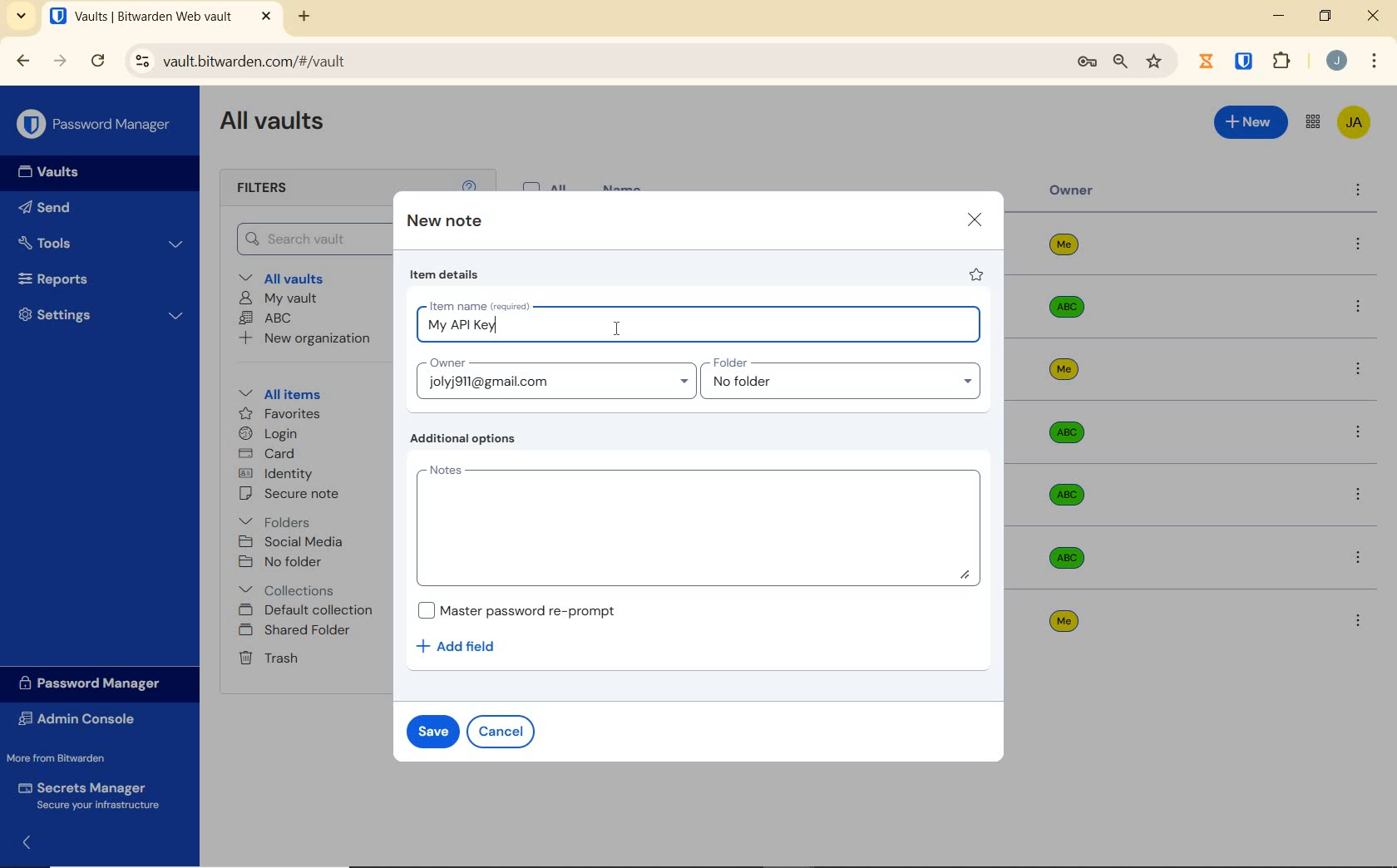  Describe the element at coordinates (141, 17) in the screenshot. I see `open tab` at that location.